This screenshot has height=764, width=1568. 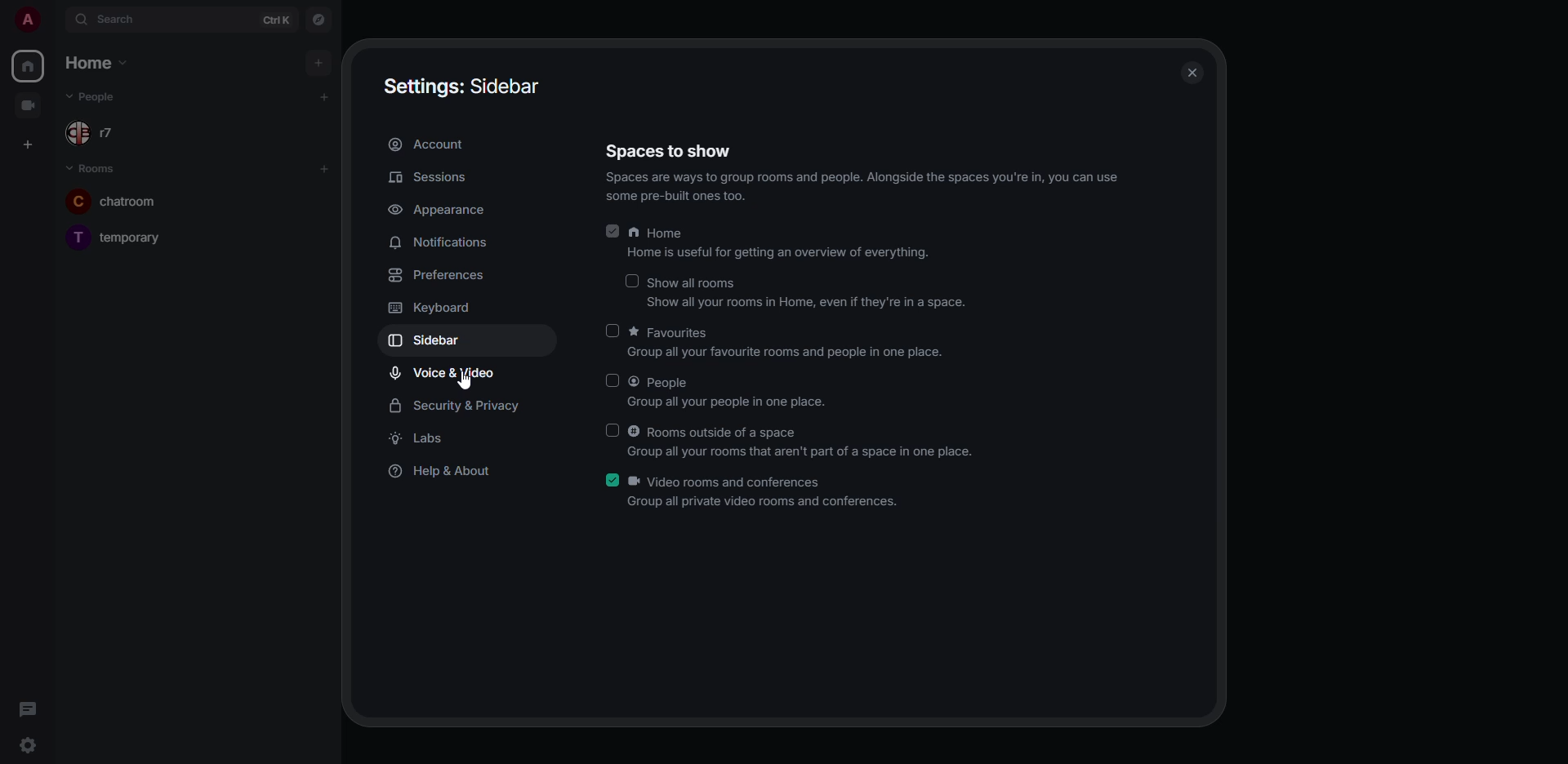 I want to click on rooms outside of a space, so click(x=800, y=442).